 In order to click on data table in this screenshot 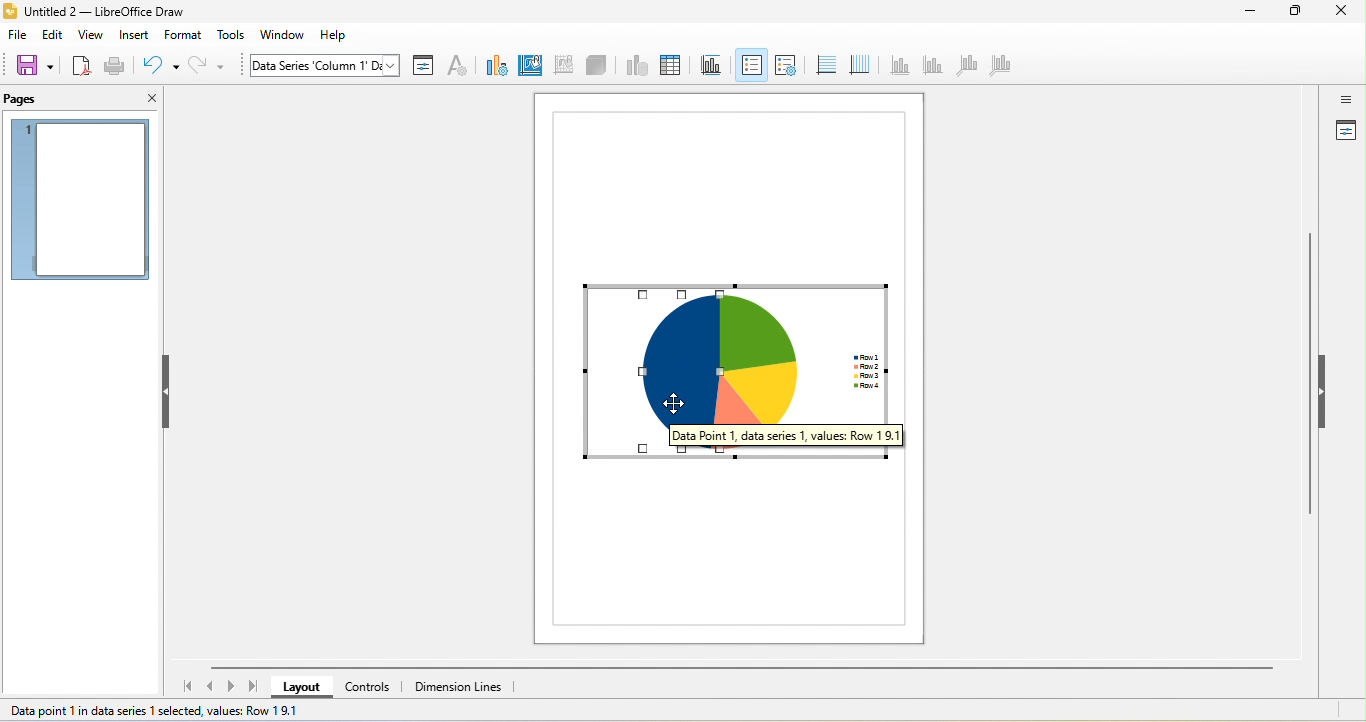, I will do `click(669, 66)`.